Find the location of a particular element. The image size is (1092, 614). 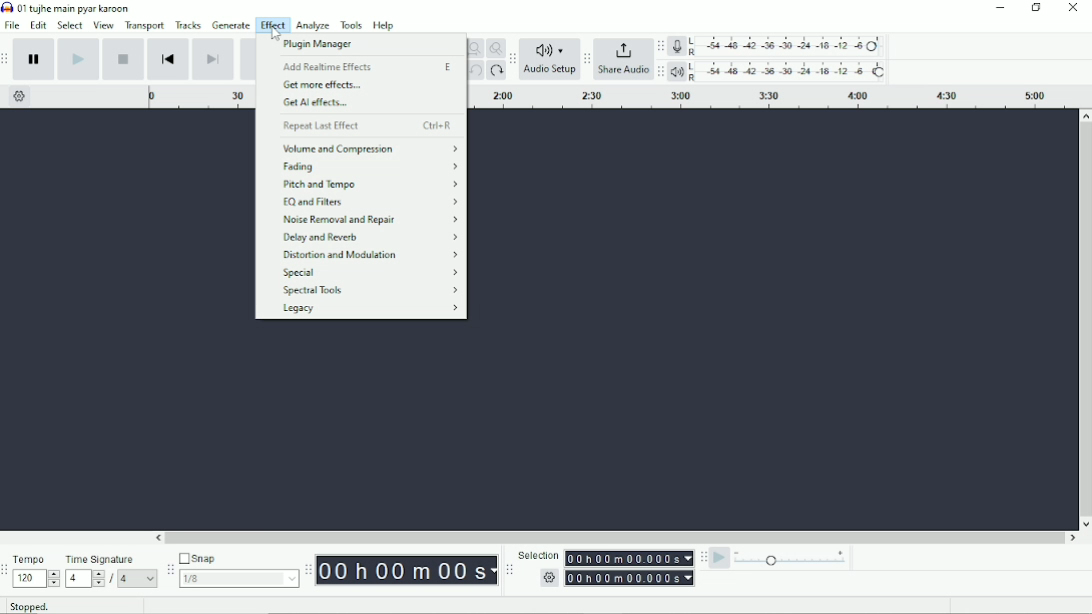

Audacity Share Audio toolbar is located at coordinates (586, 58).